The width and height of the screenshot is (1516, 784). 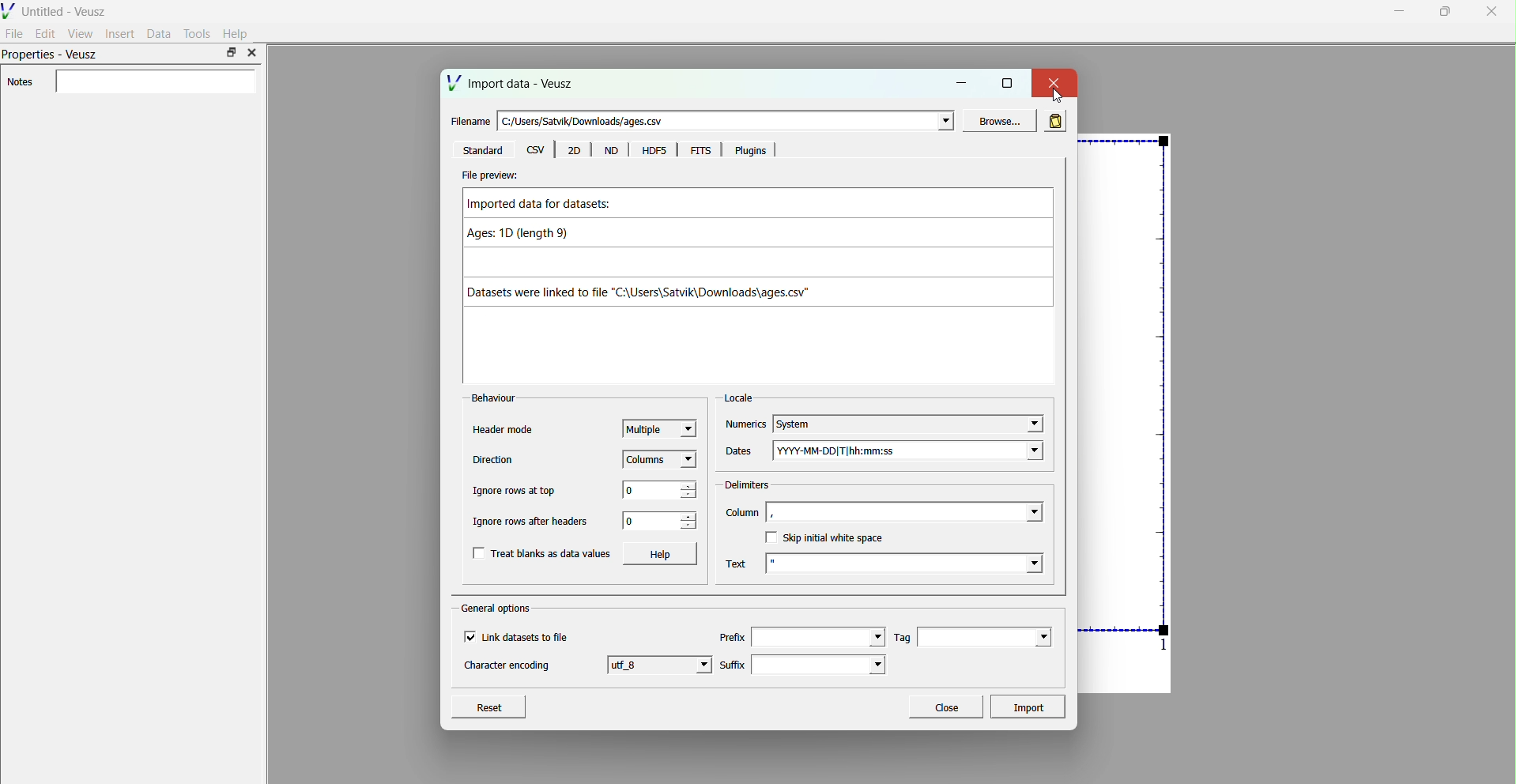 I want to click on Treat blanks as data values, so click(x=552, y=554).